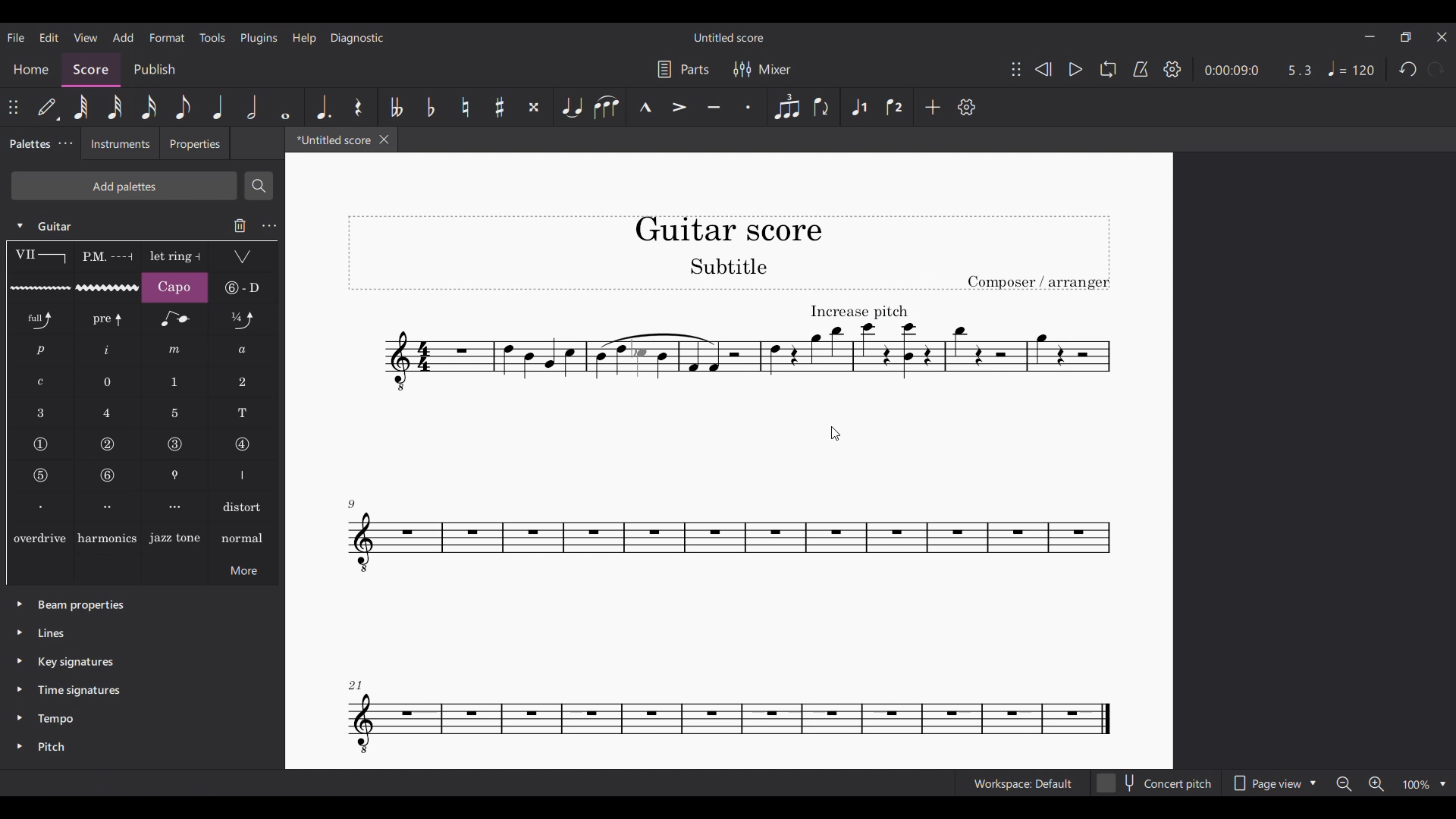 The width and height of the screenshot is (1456, 819). I want to click on LH guitar fingering 2, so click(243, 382).